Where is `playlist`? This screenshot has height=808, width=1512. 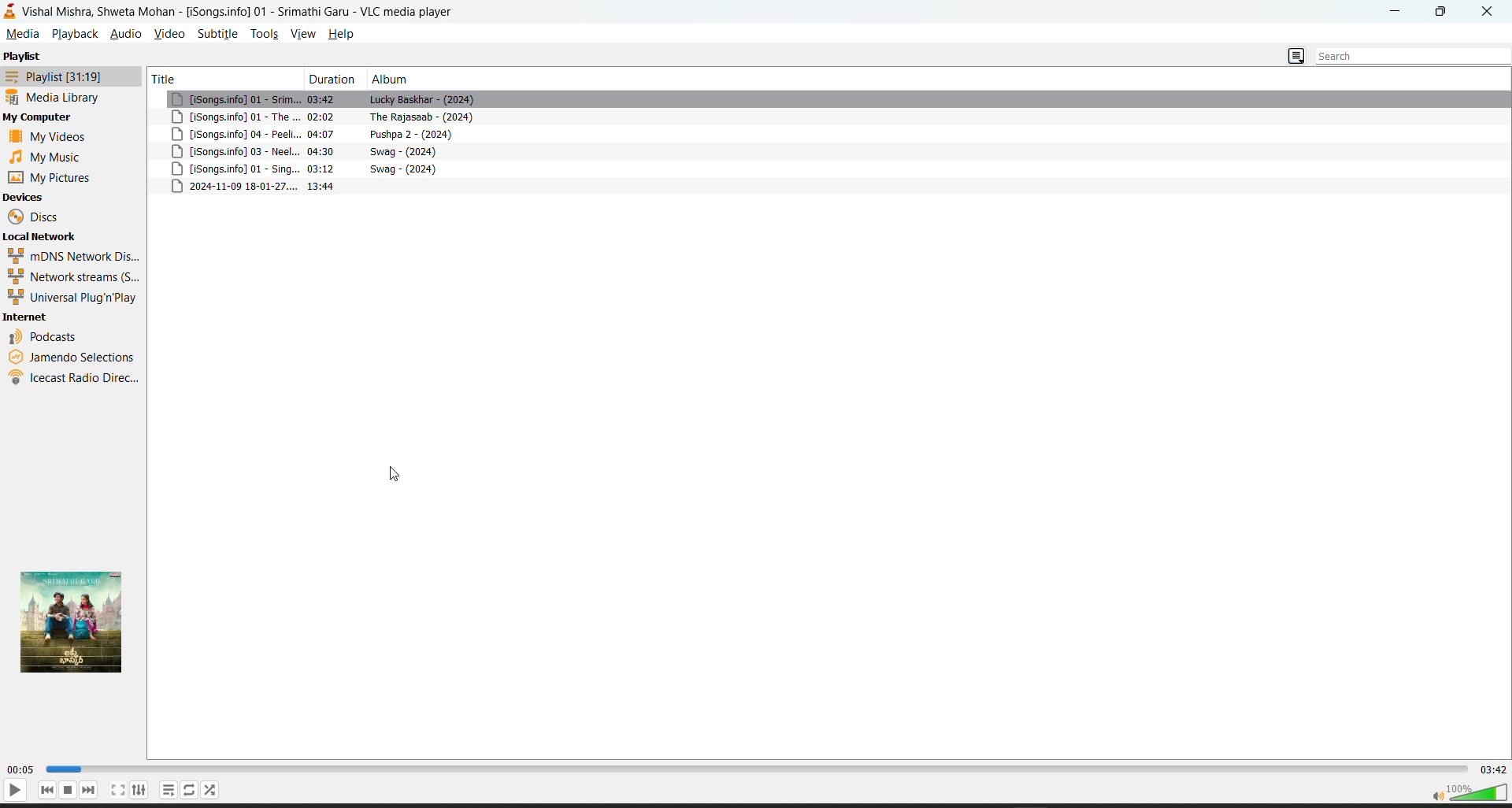 playlist is located at coordinates (53, 76).